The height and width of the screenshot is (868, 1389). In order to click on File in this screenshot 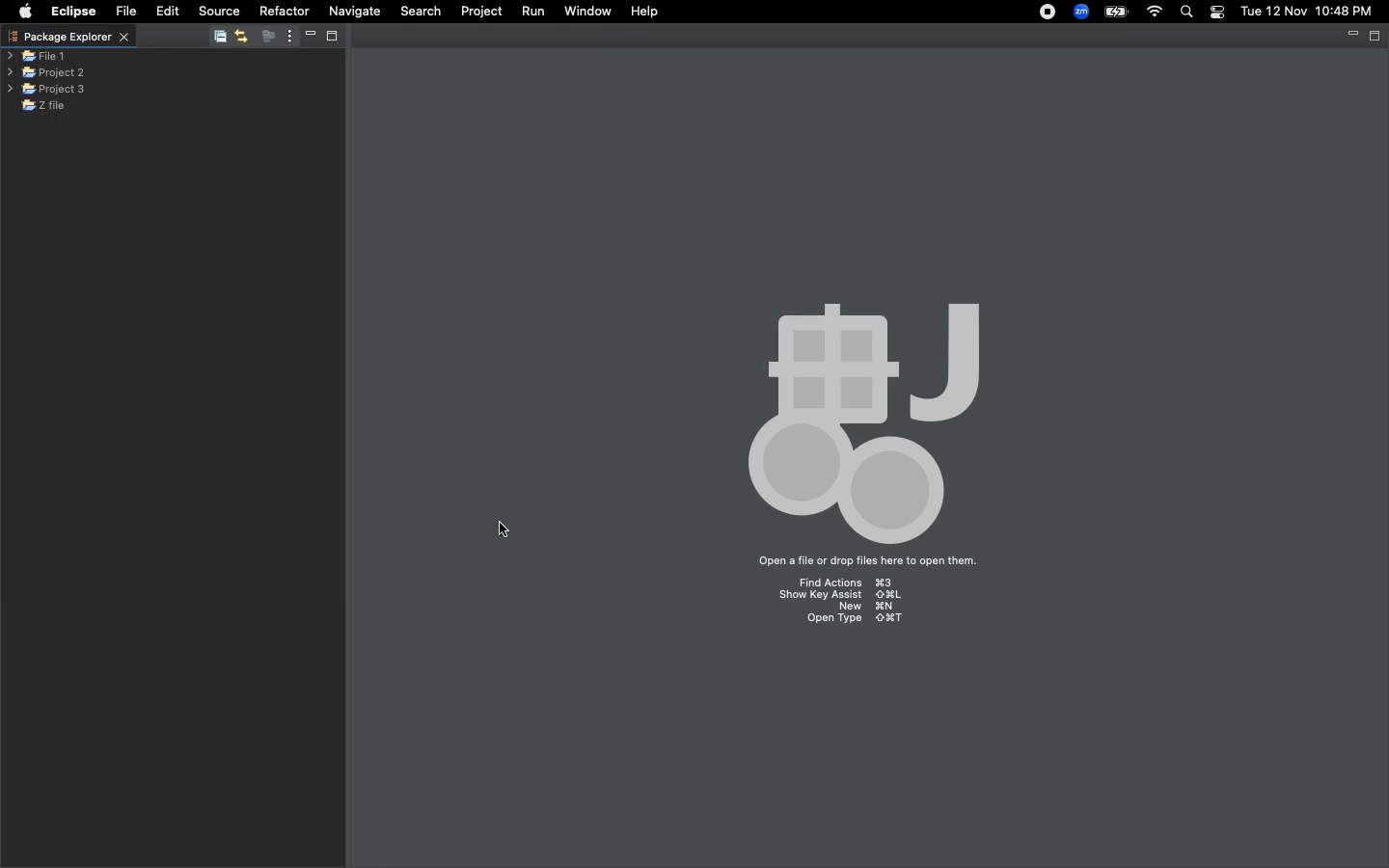, I will do `click(125, 11)`.